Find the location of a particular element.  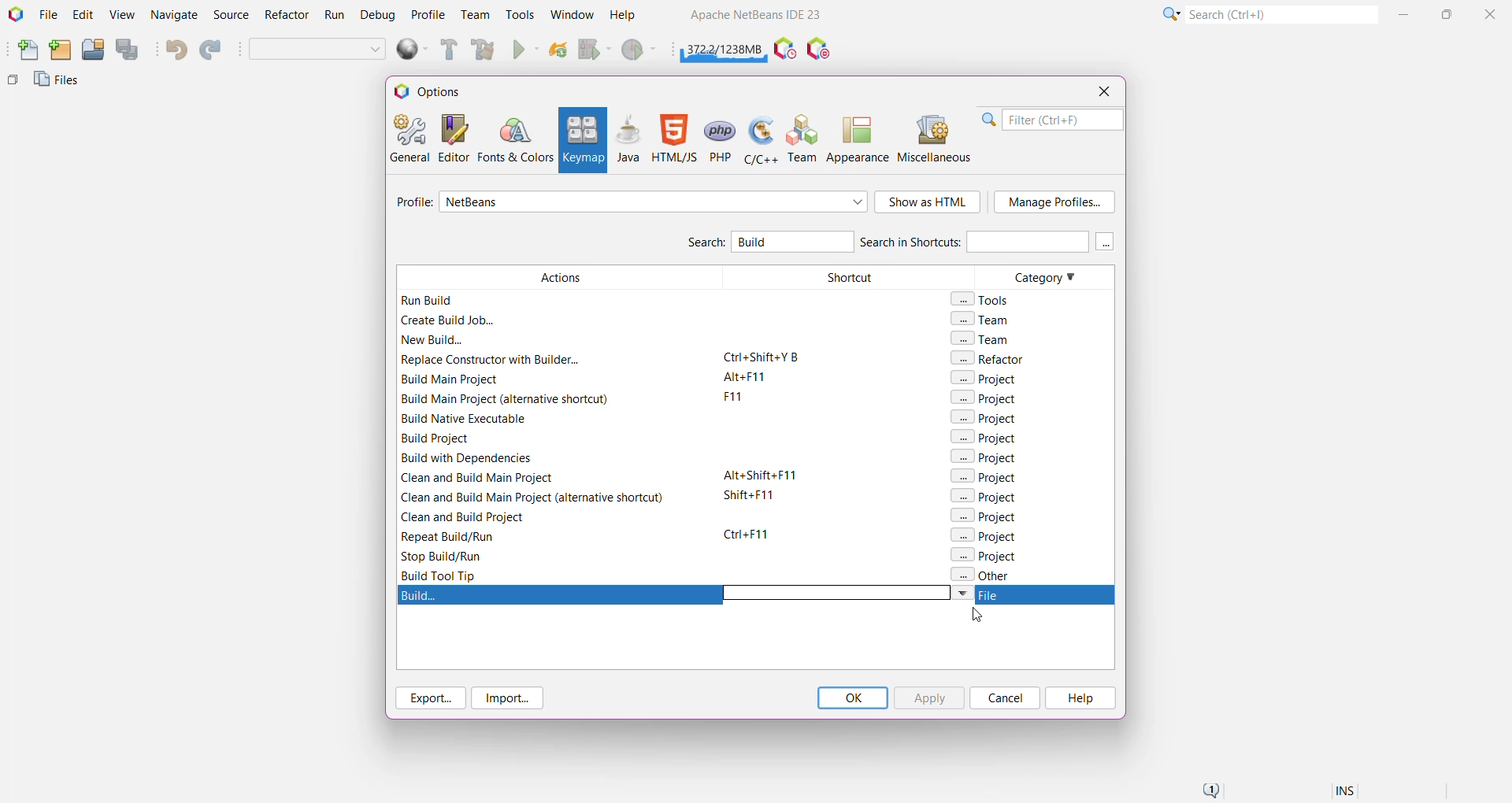

Pause IDE profiling and take a Snapshot is located at coordinates (785, 50).